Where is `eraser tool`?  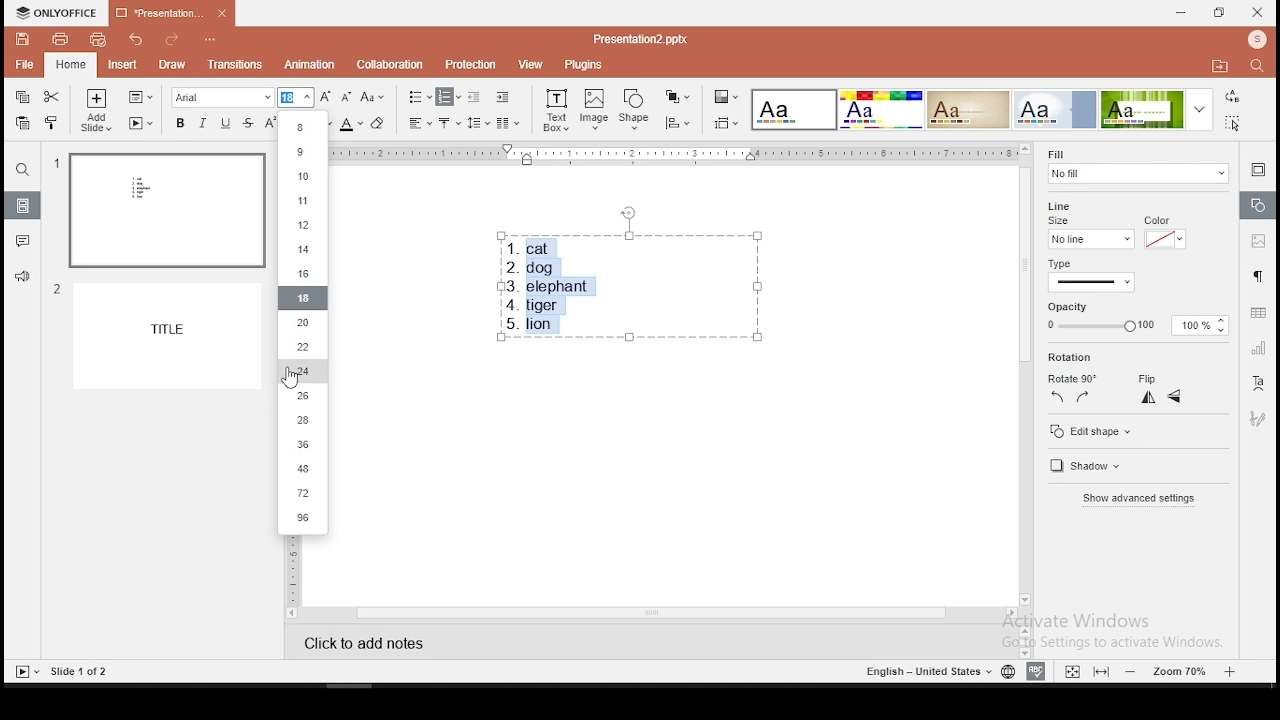
eraser tool is located at coordinates (378, 125).